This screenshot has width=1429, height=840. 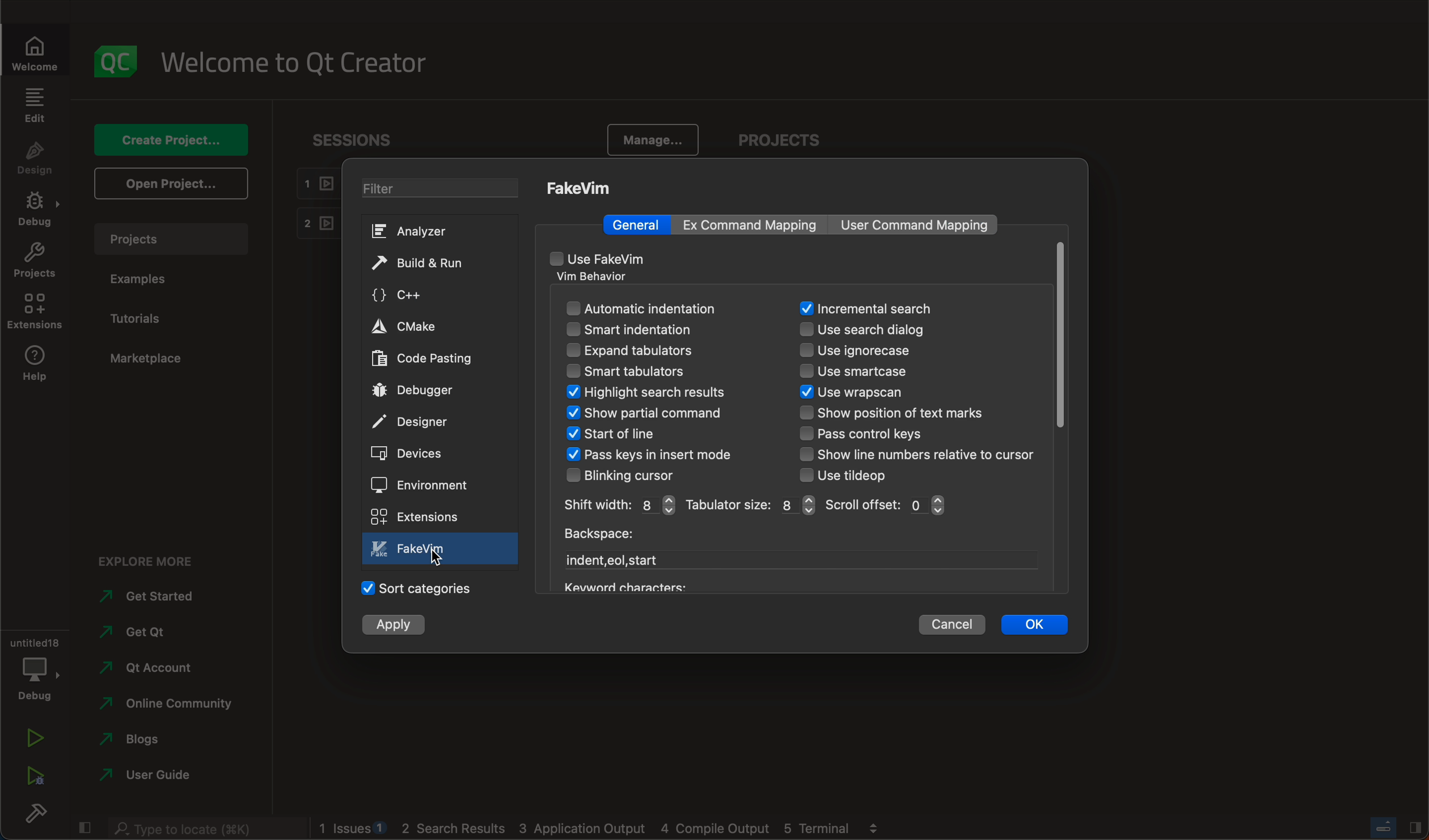 I want to click on manage, so click(x=654, y=142).